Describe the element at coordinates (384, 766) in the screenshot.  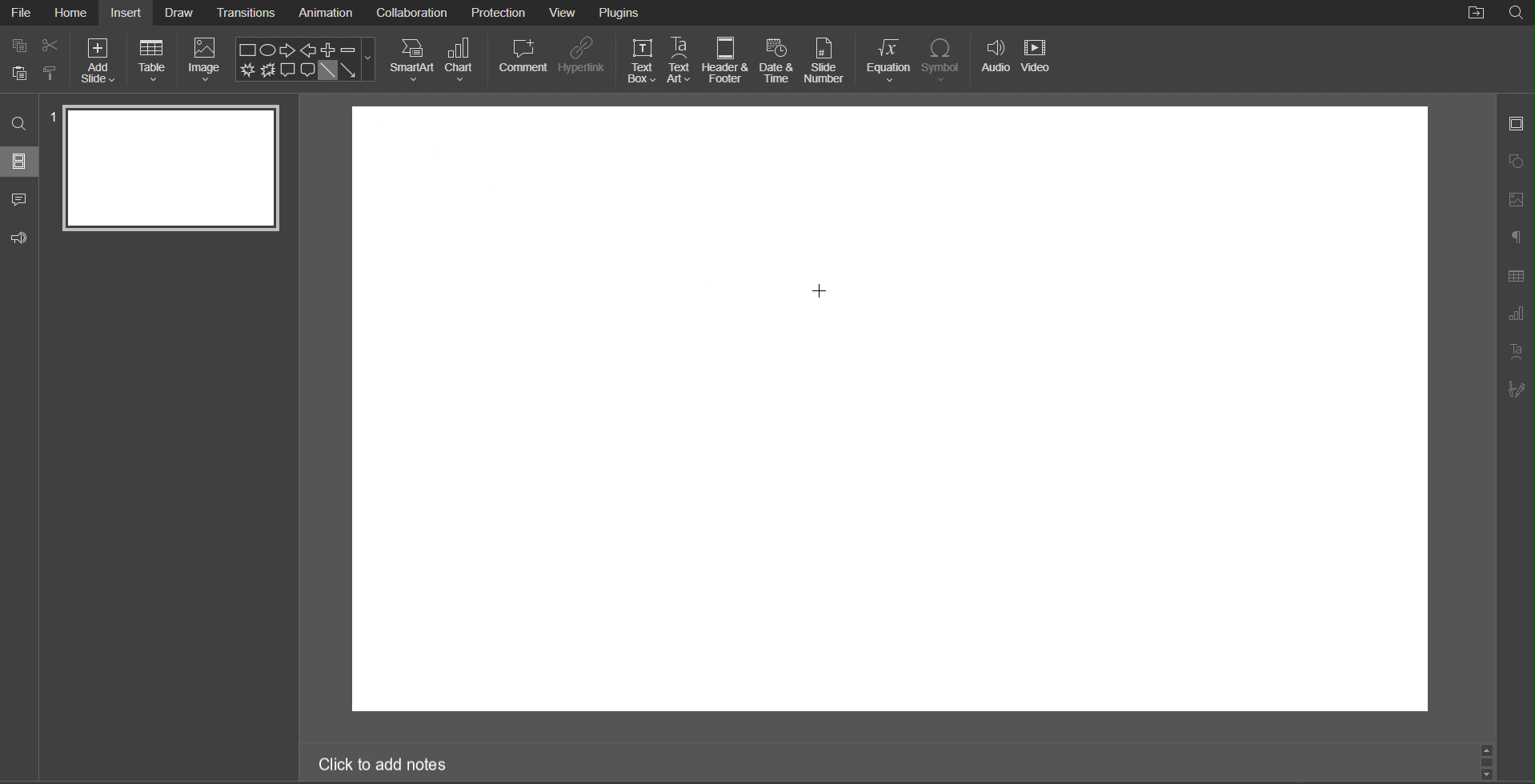
I see `Click to add notes` at that location.